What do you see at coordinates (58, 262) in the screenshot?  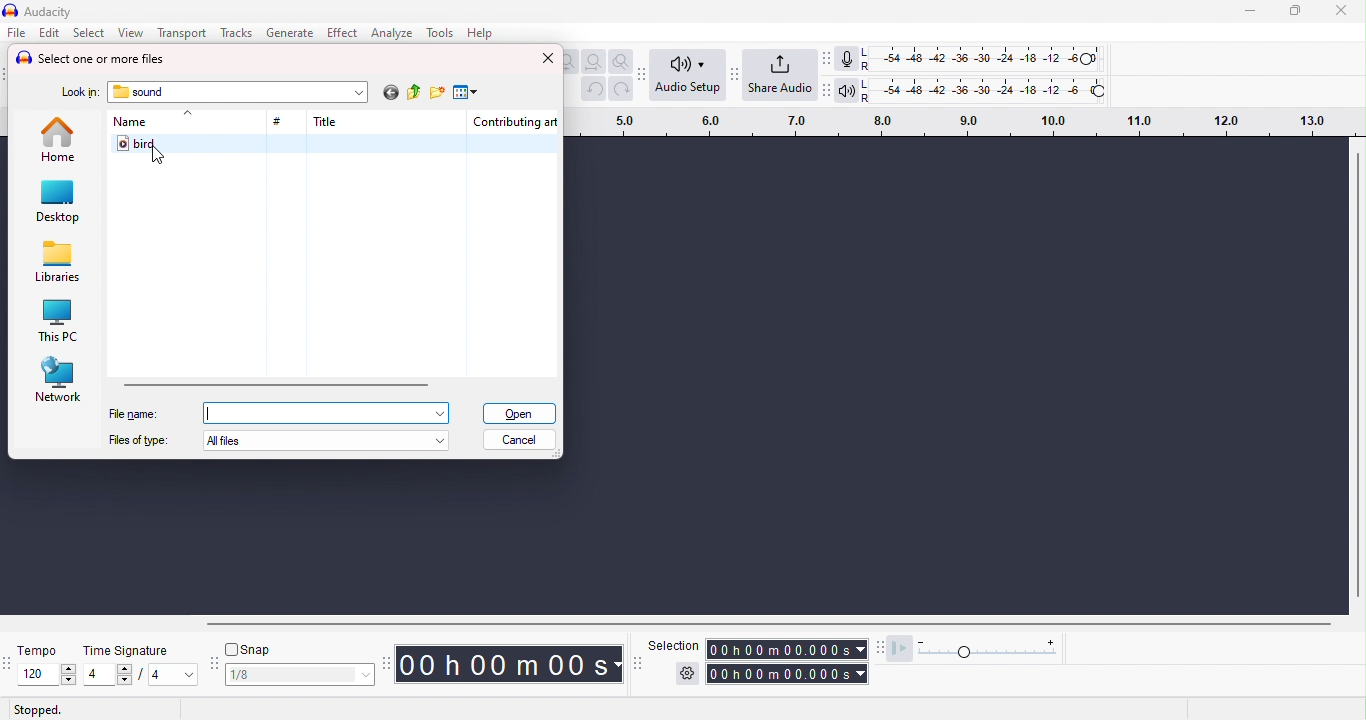 I see `libraries` at bounding box center [58, 262].